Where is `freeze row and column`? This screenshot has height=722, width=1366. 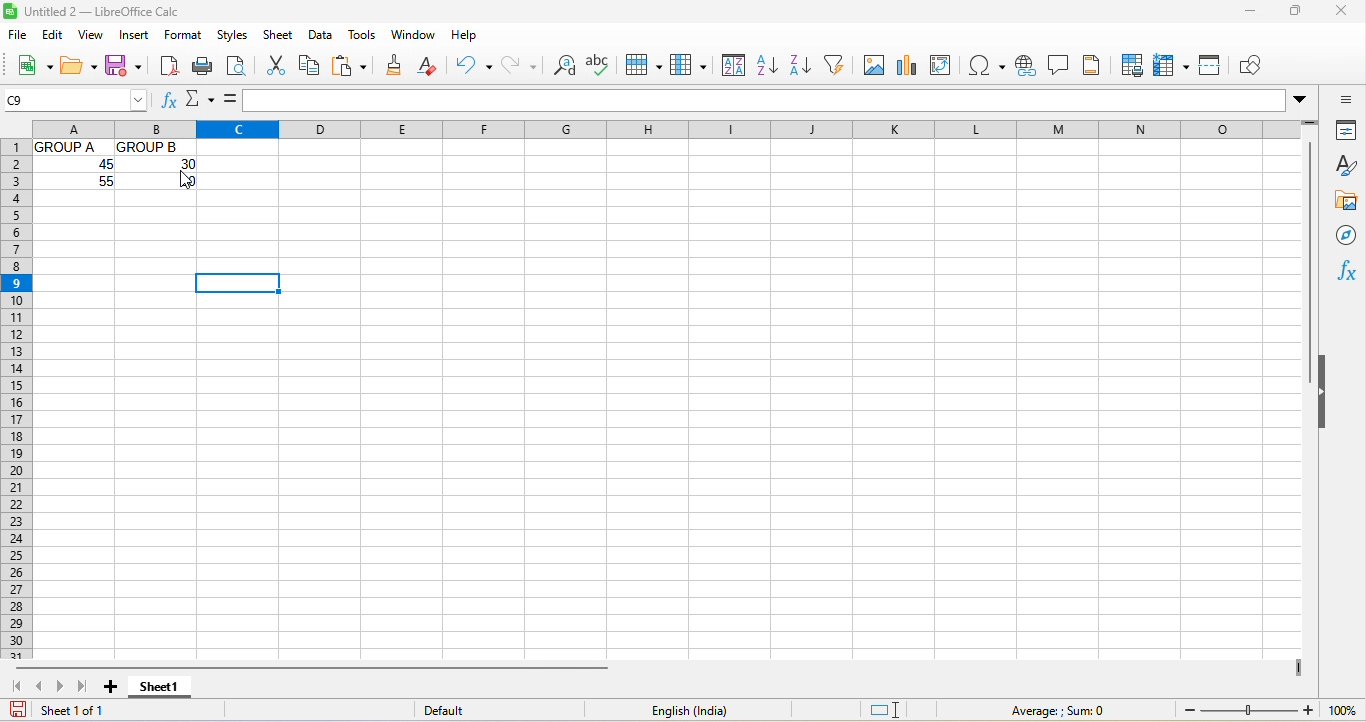
freeze row and column is located at coordinates (1171, 67).